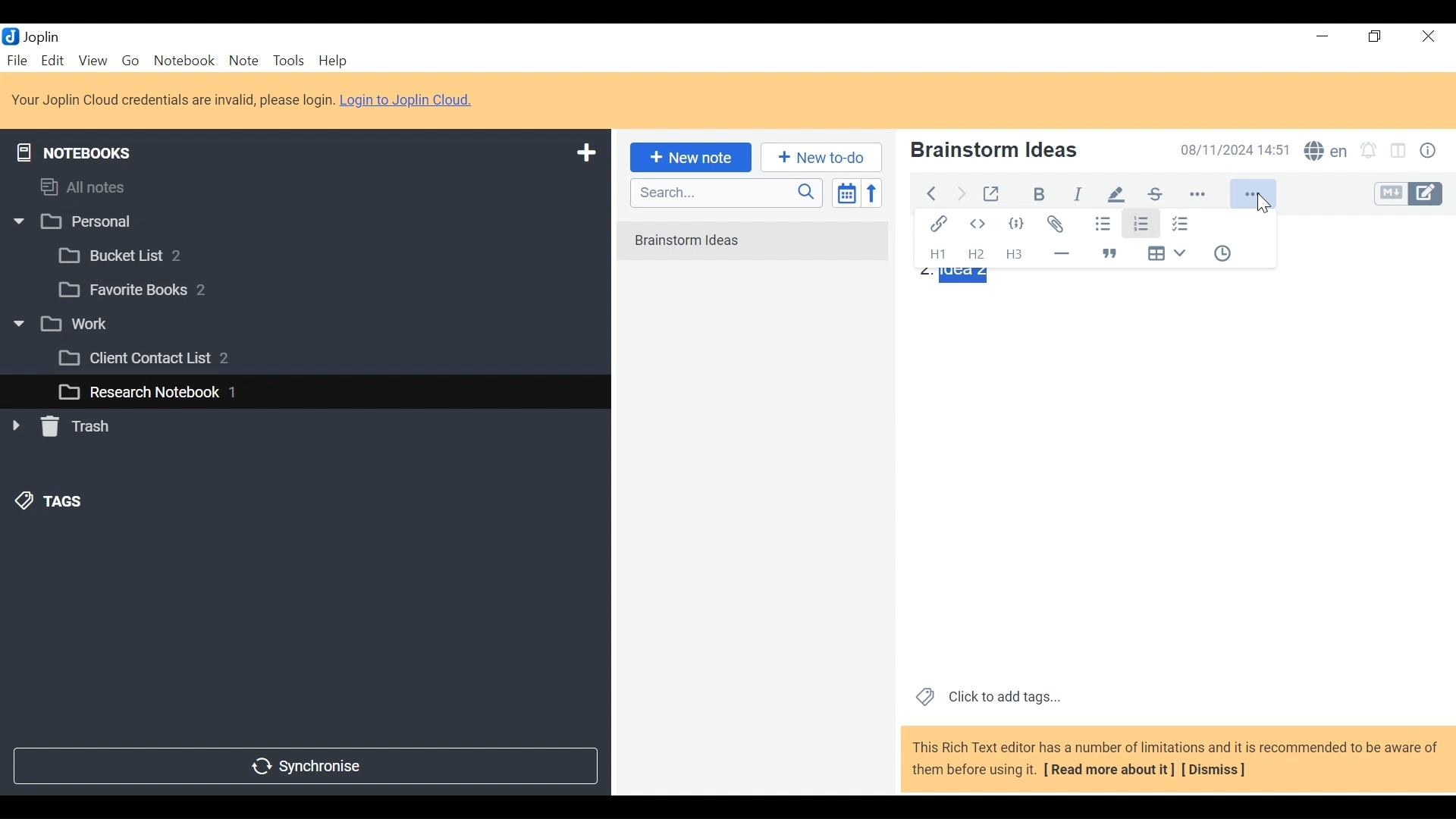 The height and width of the screenshot is (819, 1456). Describe the element at coordinates (1026, 152) in the screenshot. I see `Note Name` at that location.